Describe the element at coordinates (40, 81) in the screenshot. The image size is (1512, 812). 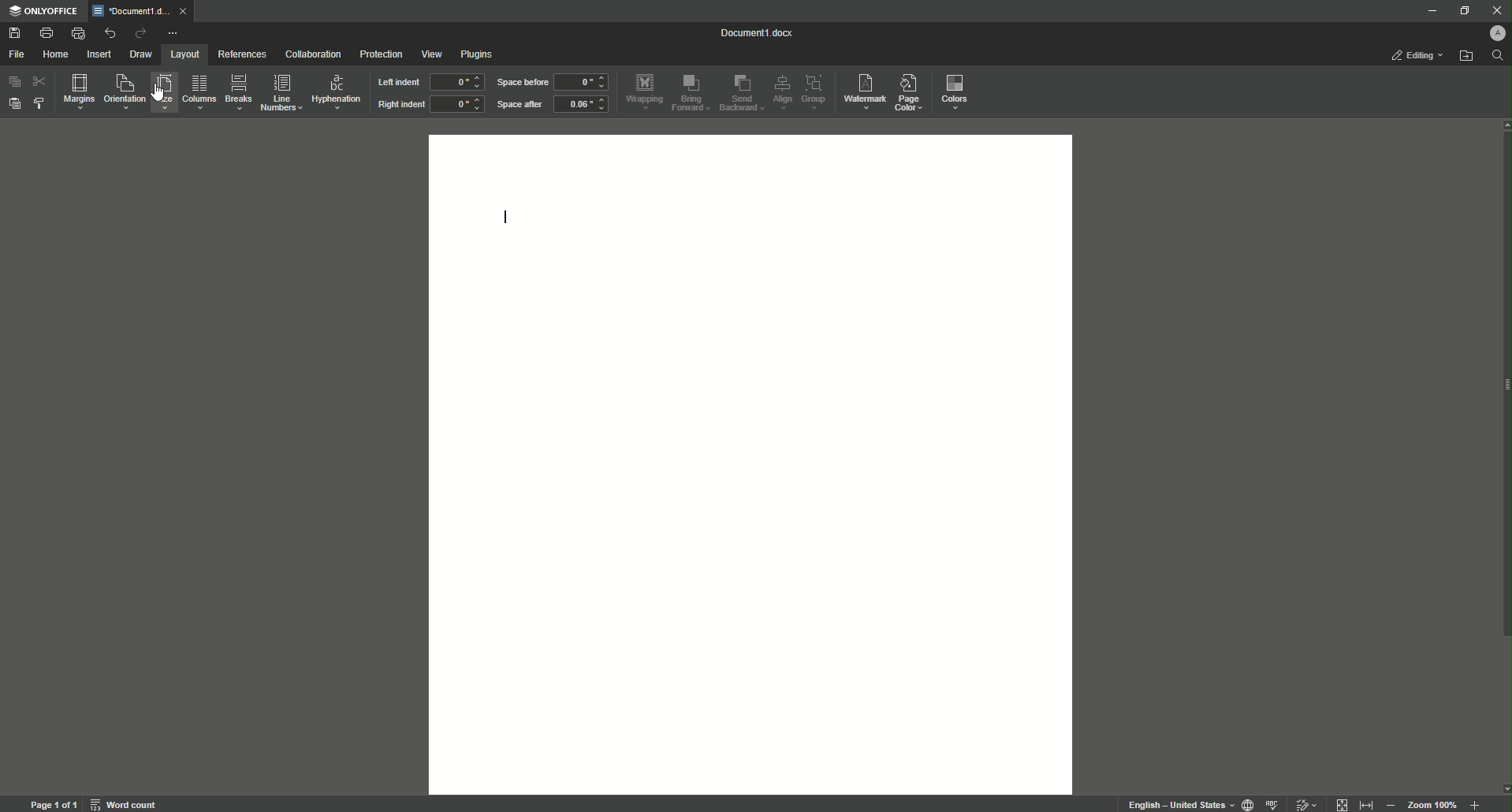
I see `Cut` at that location.